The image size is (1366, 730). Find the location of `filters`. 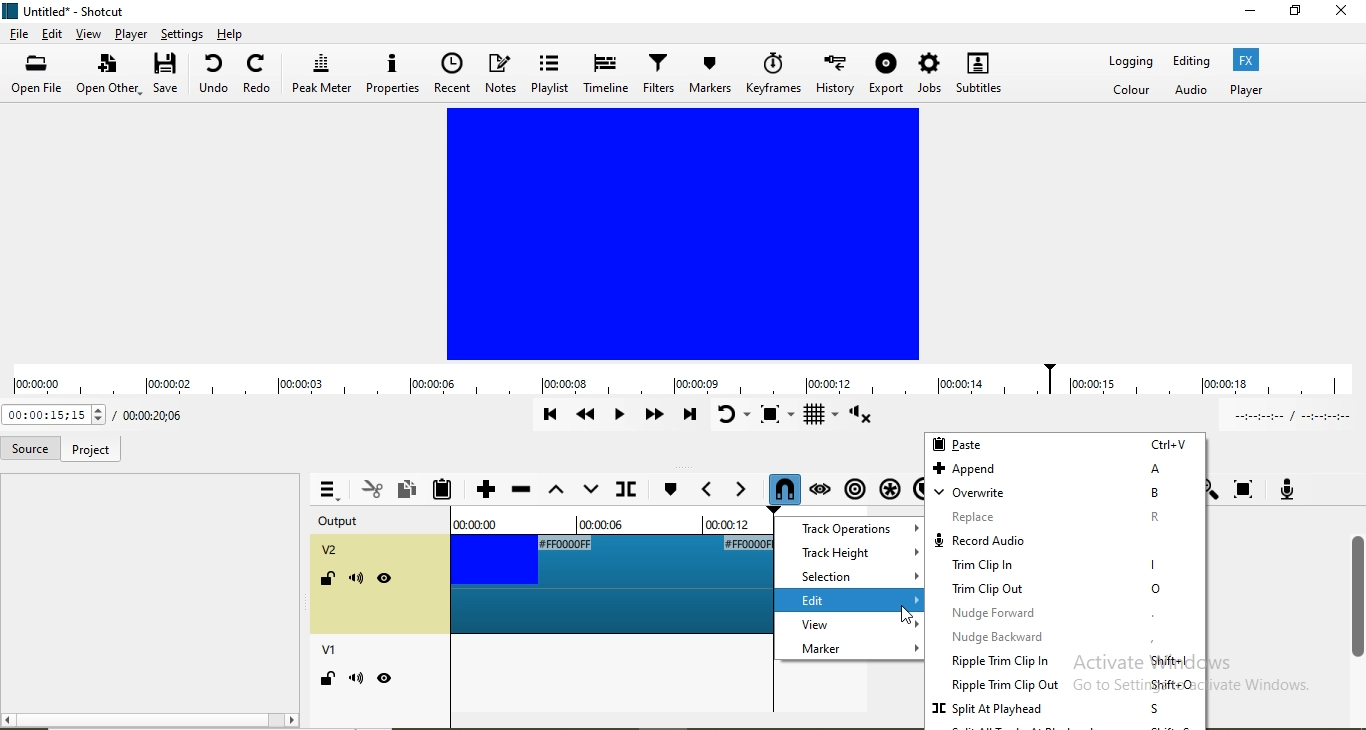

filters is located at coordinates (656, 72).